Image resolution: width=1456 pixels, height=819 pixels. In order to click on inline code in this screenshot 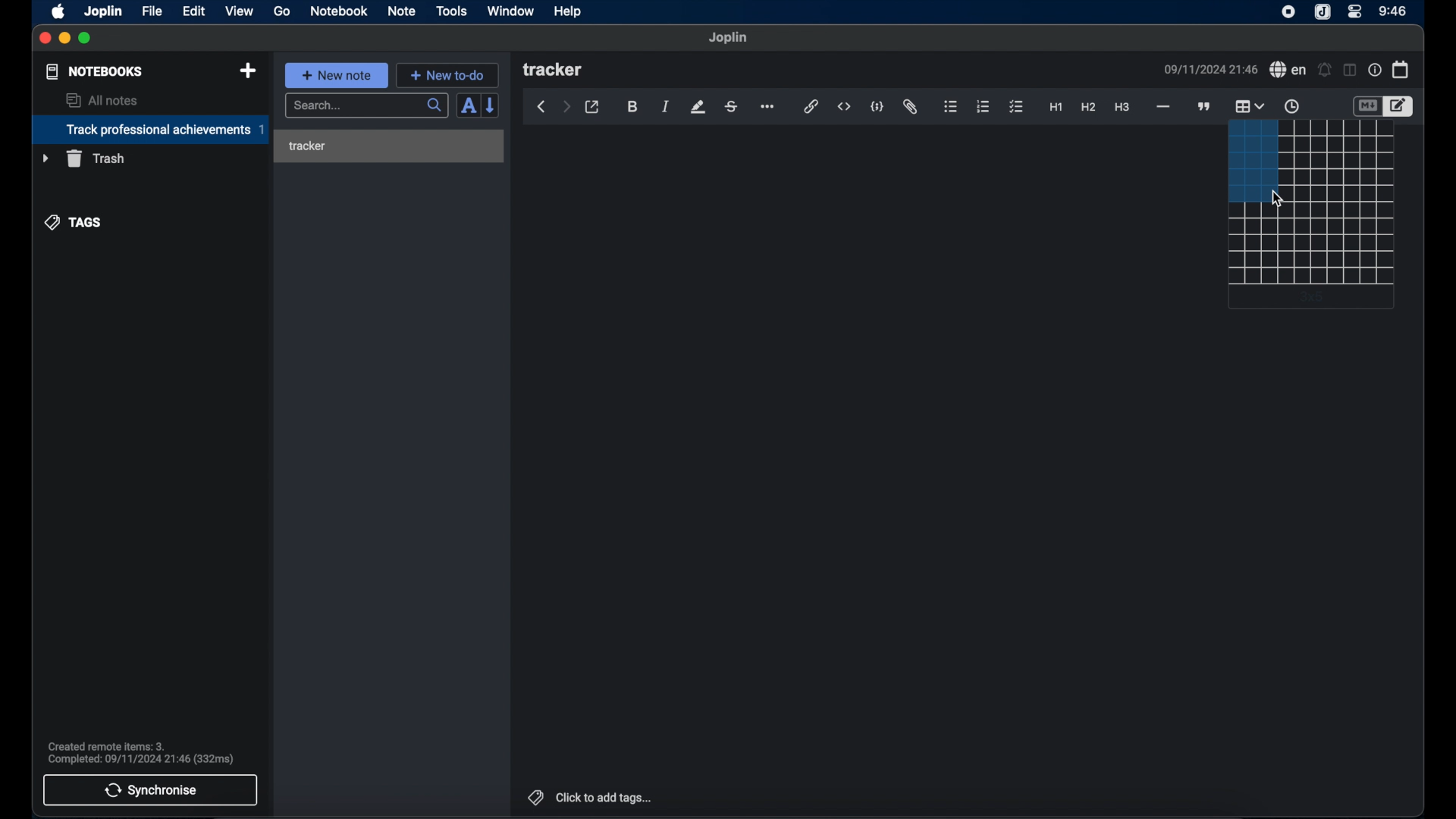, I will do `click(844, 107)`.